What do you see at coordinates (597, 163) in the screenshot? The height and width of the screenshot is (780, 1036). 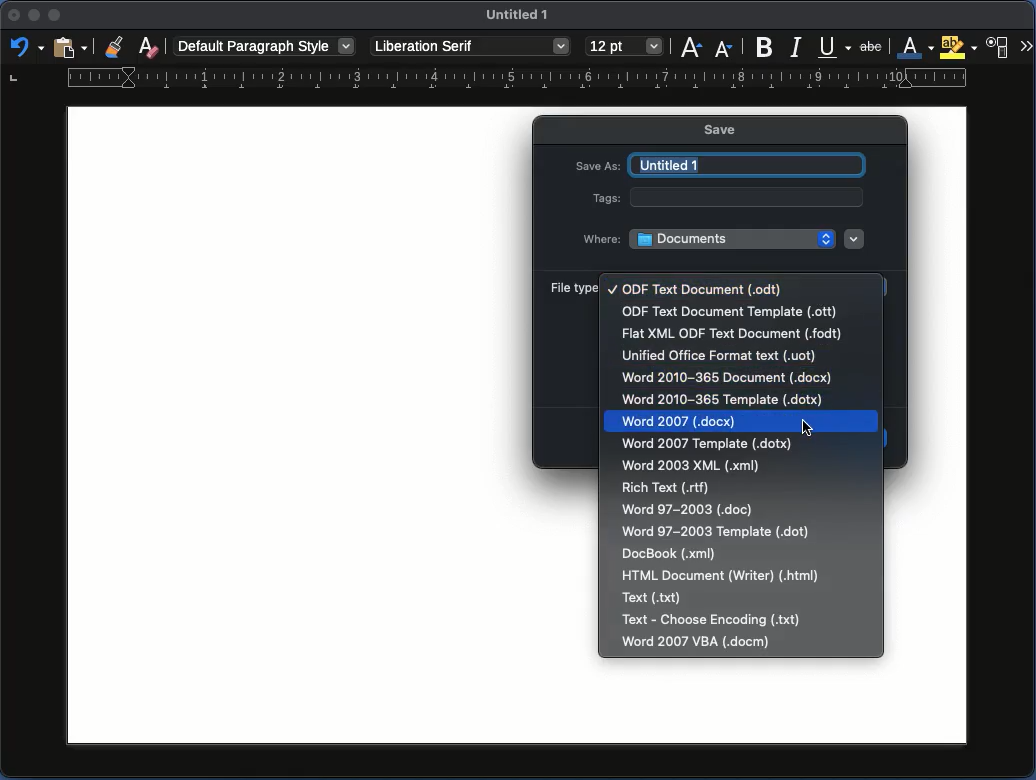 I see `Save as` at bounding box center [597, 163].